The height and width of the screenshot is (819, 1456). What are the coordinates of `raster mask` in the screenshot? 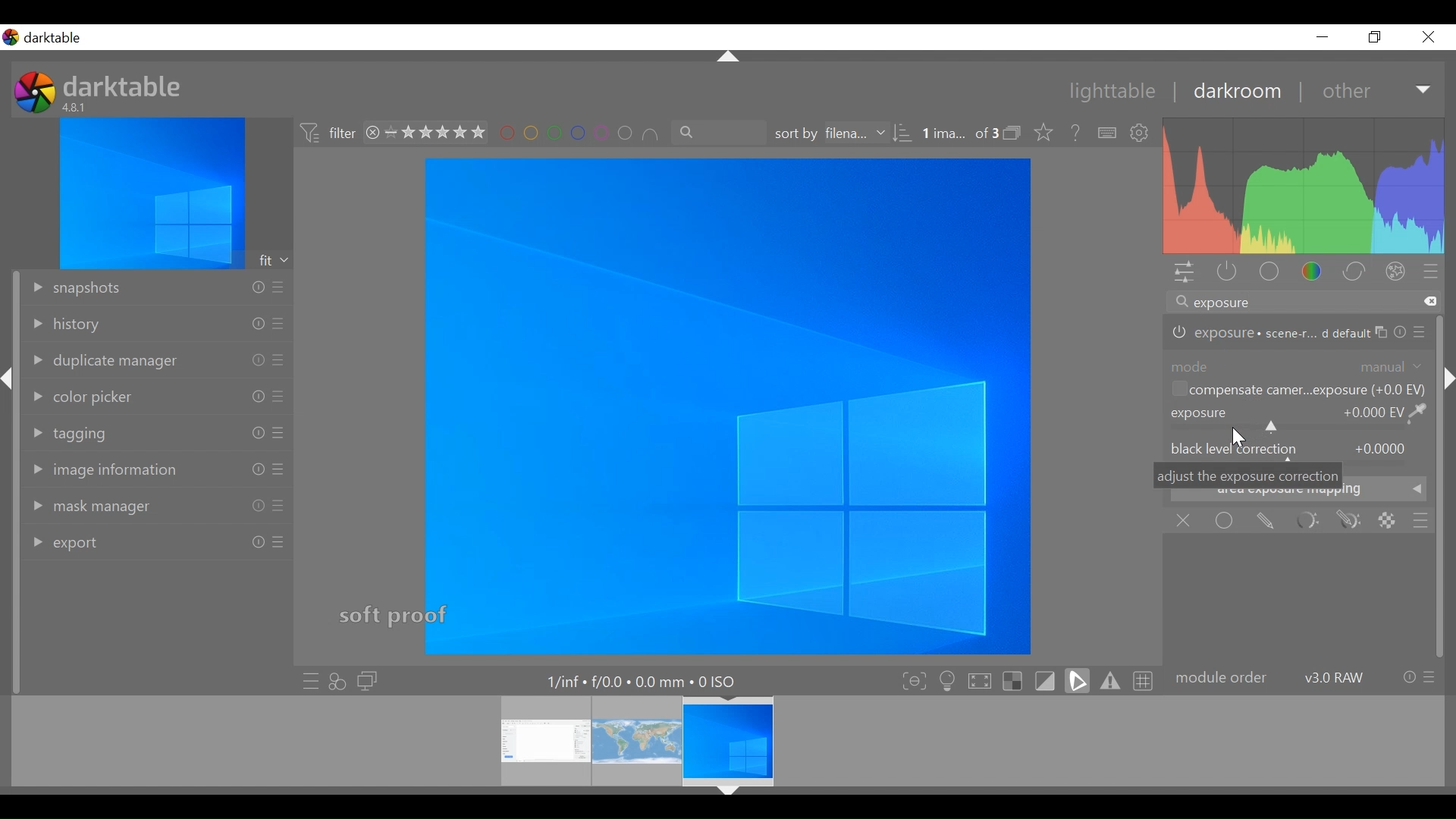 It's located at (1389, 521).